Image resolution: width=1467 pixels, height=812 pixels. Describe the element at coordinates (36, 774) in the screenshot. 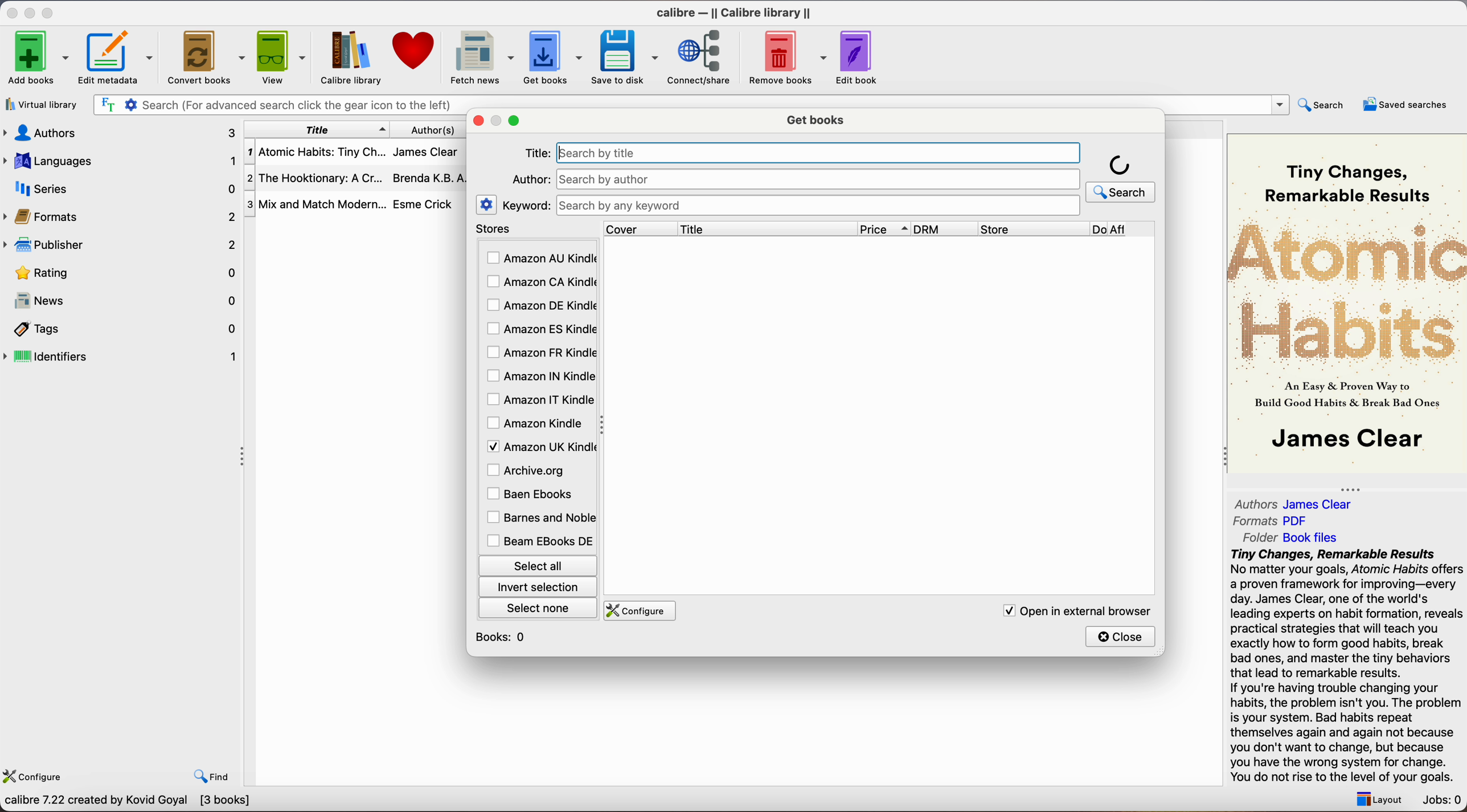

I see `configure` at that location.